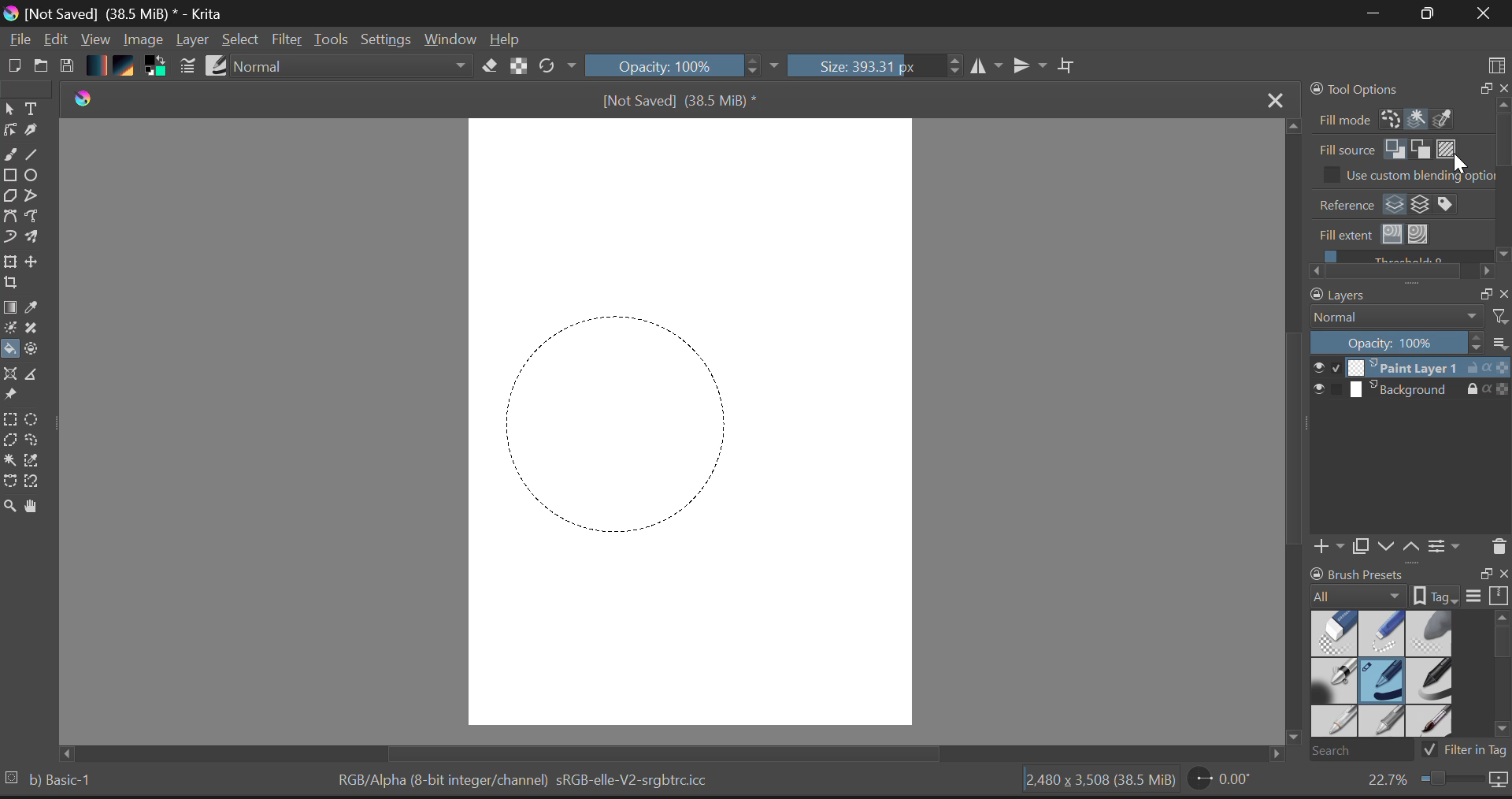 This screenshot has height=799, width=1512. I want to click on Settings, so click(387, 40).